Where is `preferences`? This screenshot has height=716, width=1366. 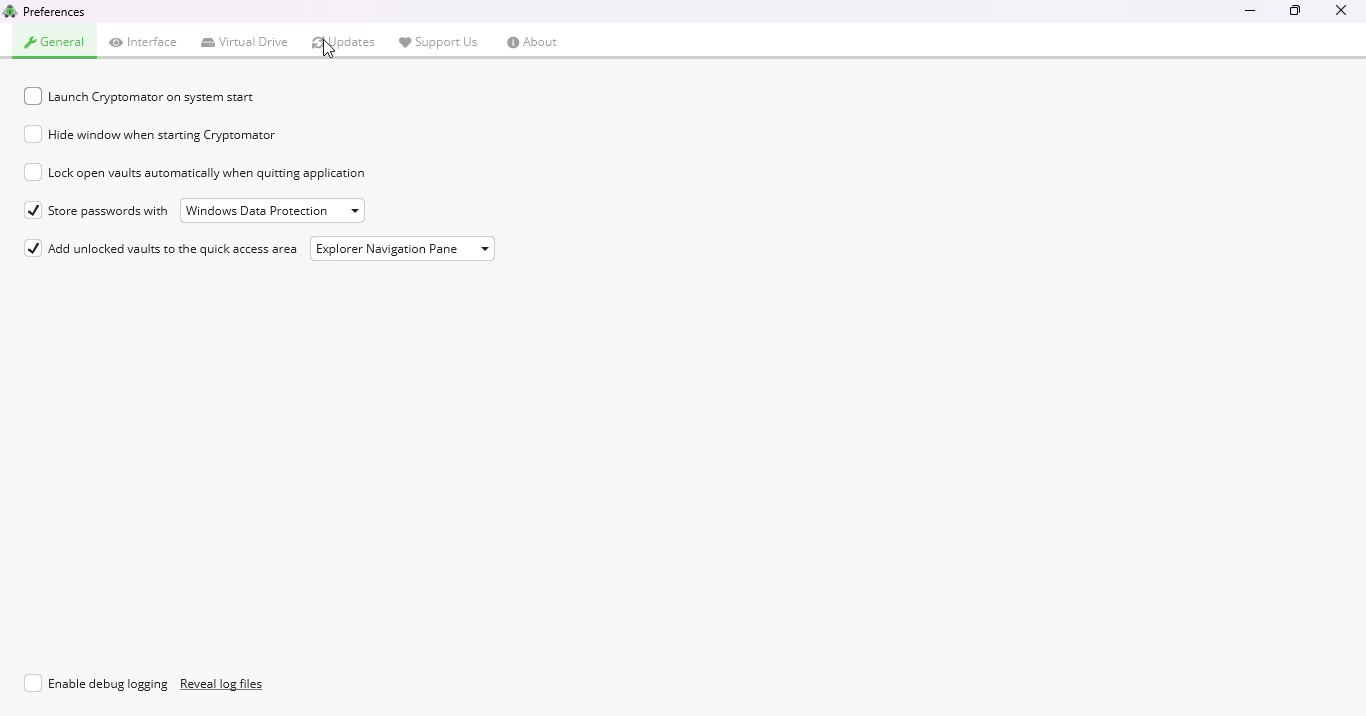
preferences is located at coordinates (55, 11).